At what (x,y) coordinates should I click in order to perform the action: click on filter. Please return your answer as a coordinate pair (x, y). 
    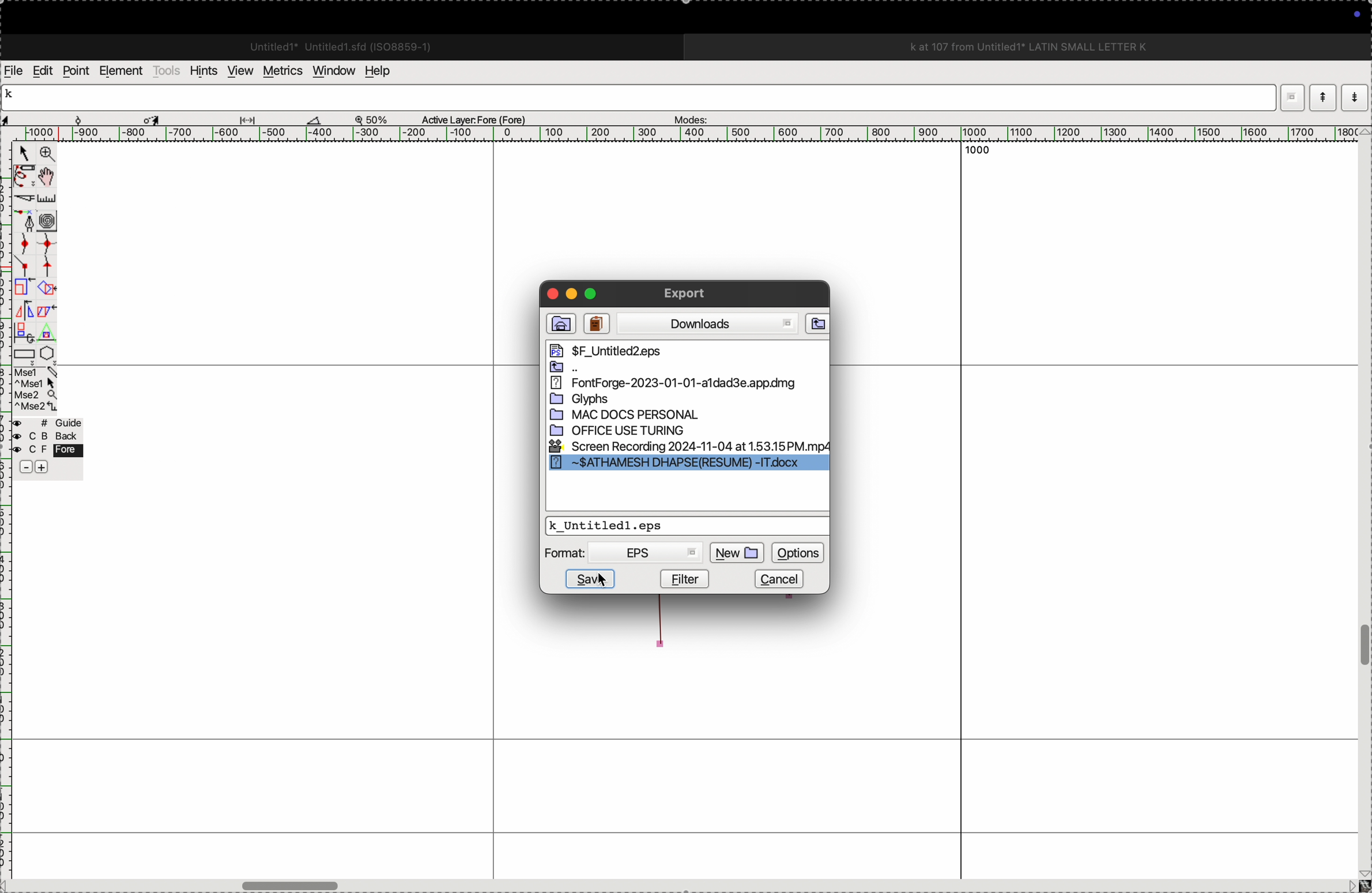
    Looking at the image, I should click on (685, 578).